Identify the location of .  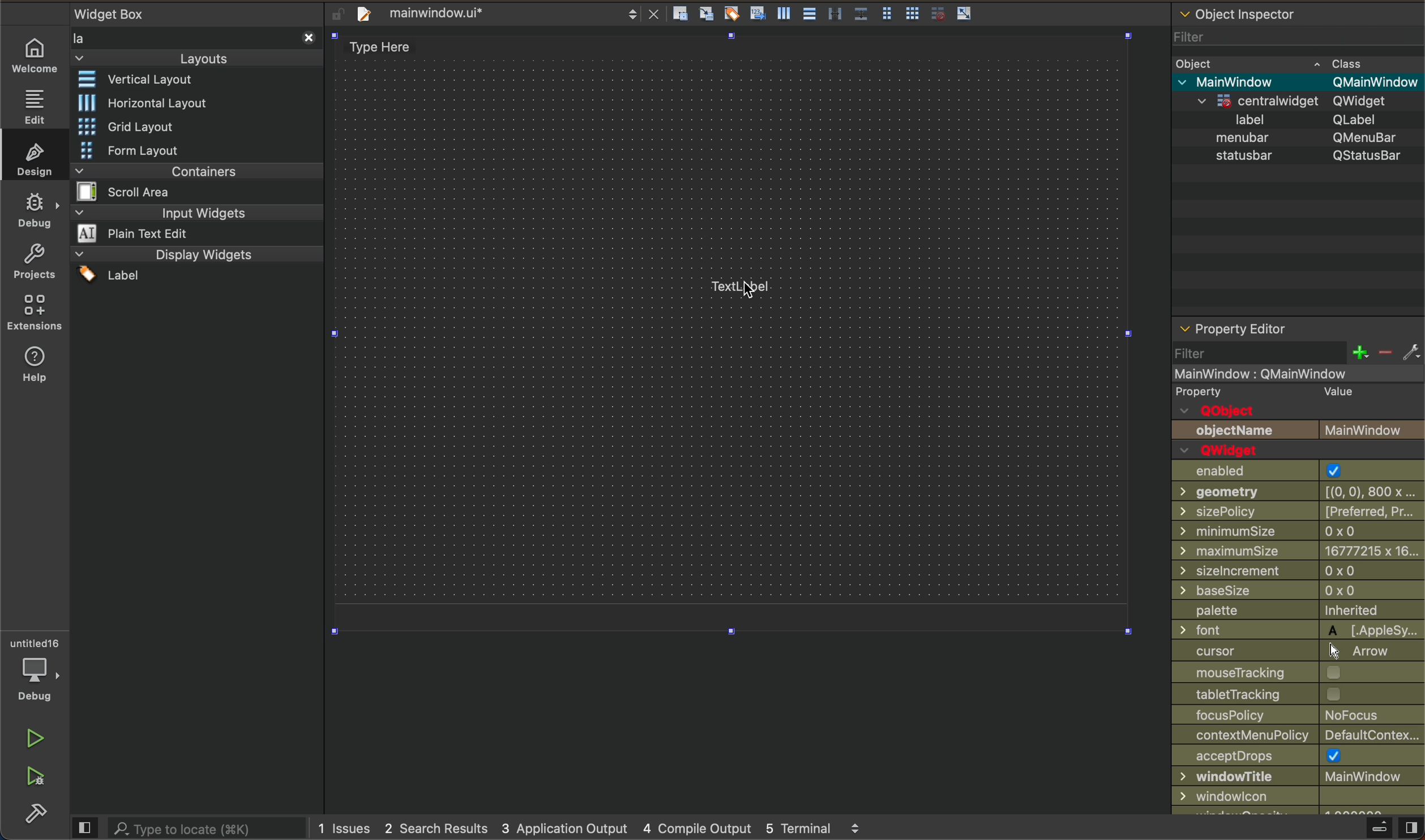
(1266, 695).